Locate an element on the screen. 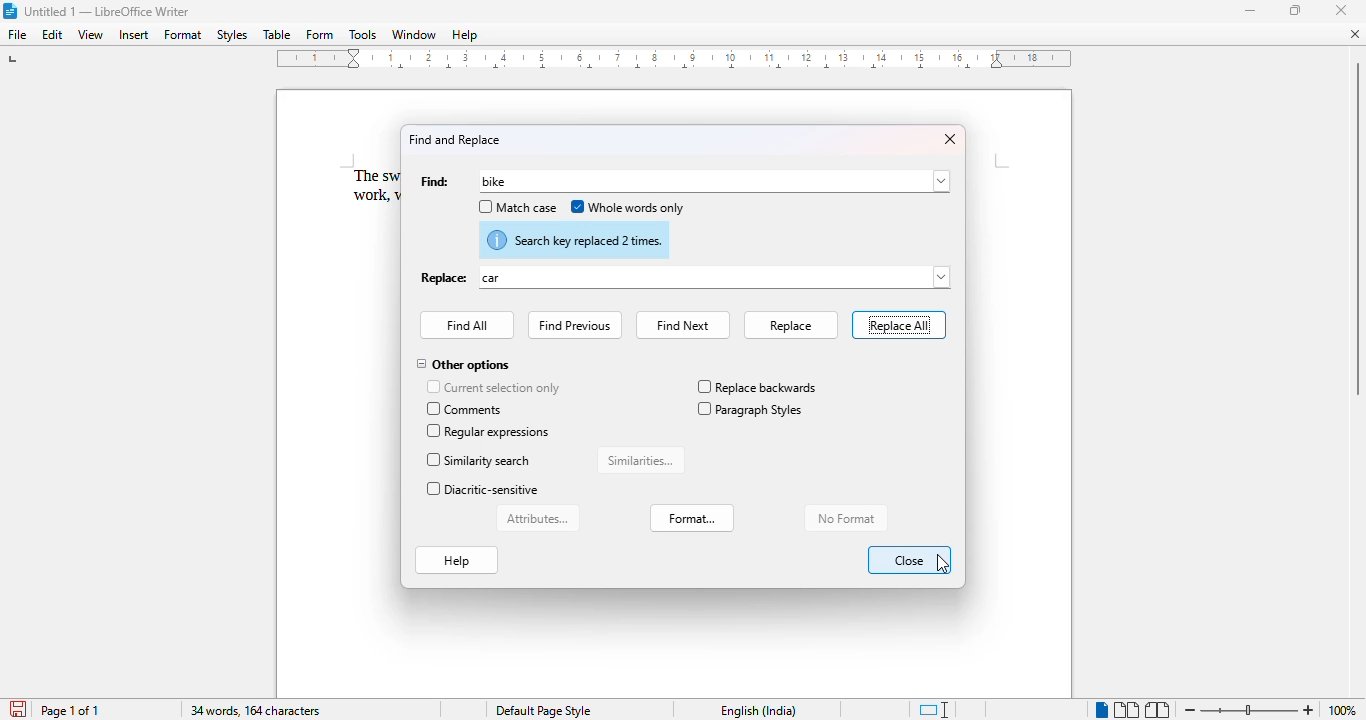  other options is located at coordinates (463, 366).